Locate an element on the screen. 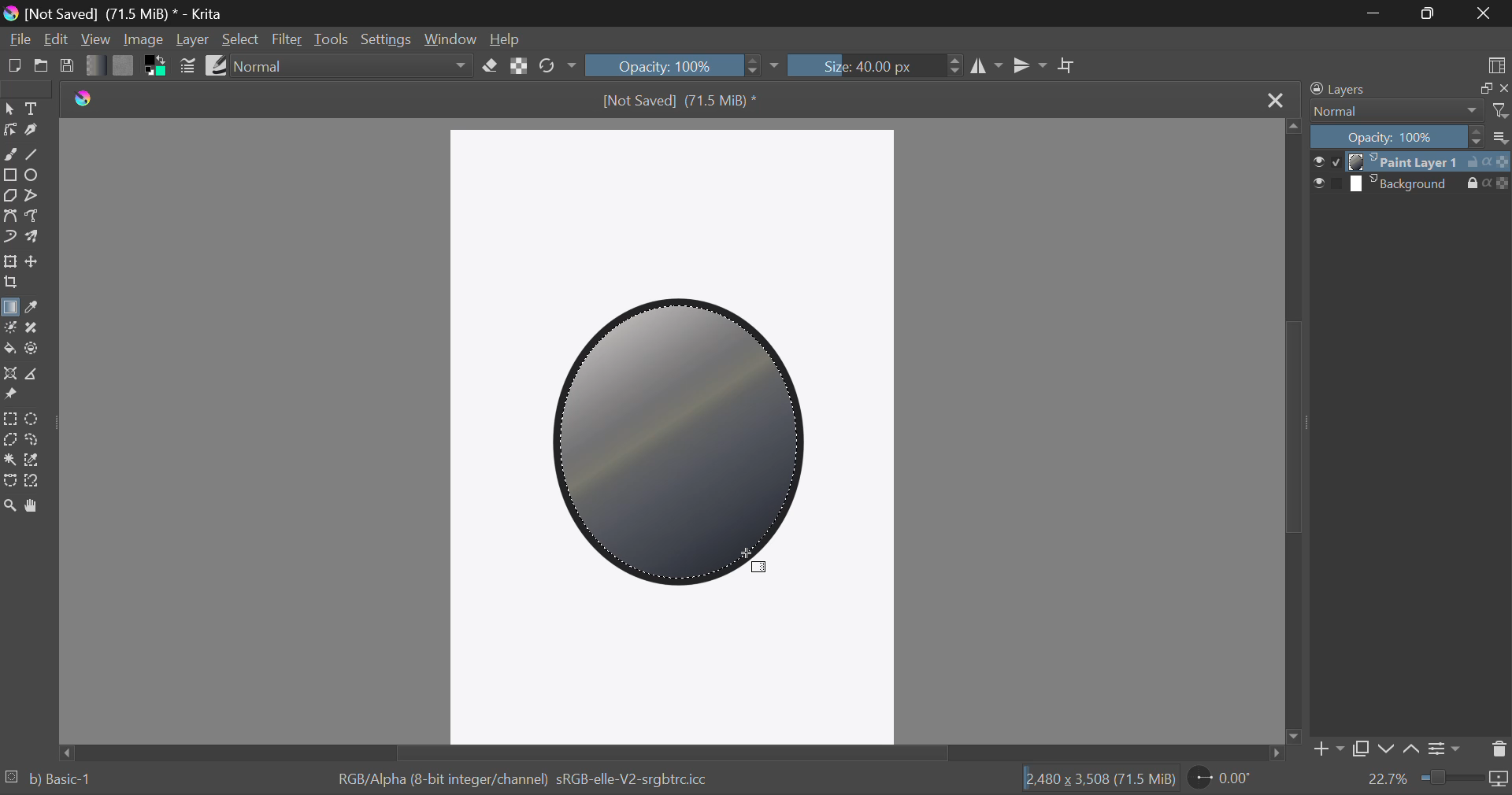 Image resolution: width=1512 pixels, height=795 pixels. Scroll Bar is located at coordinates (1291, 434).